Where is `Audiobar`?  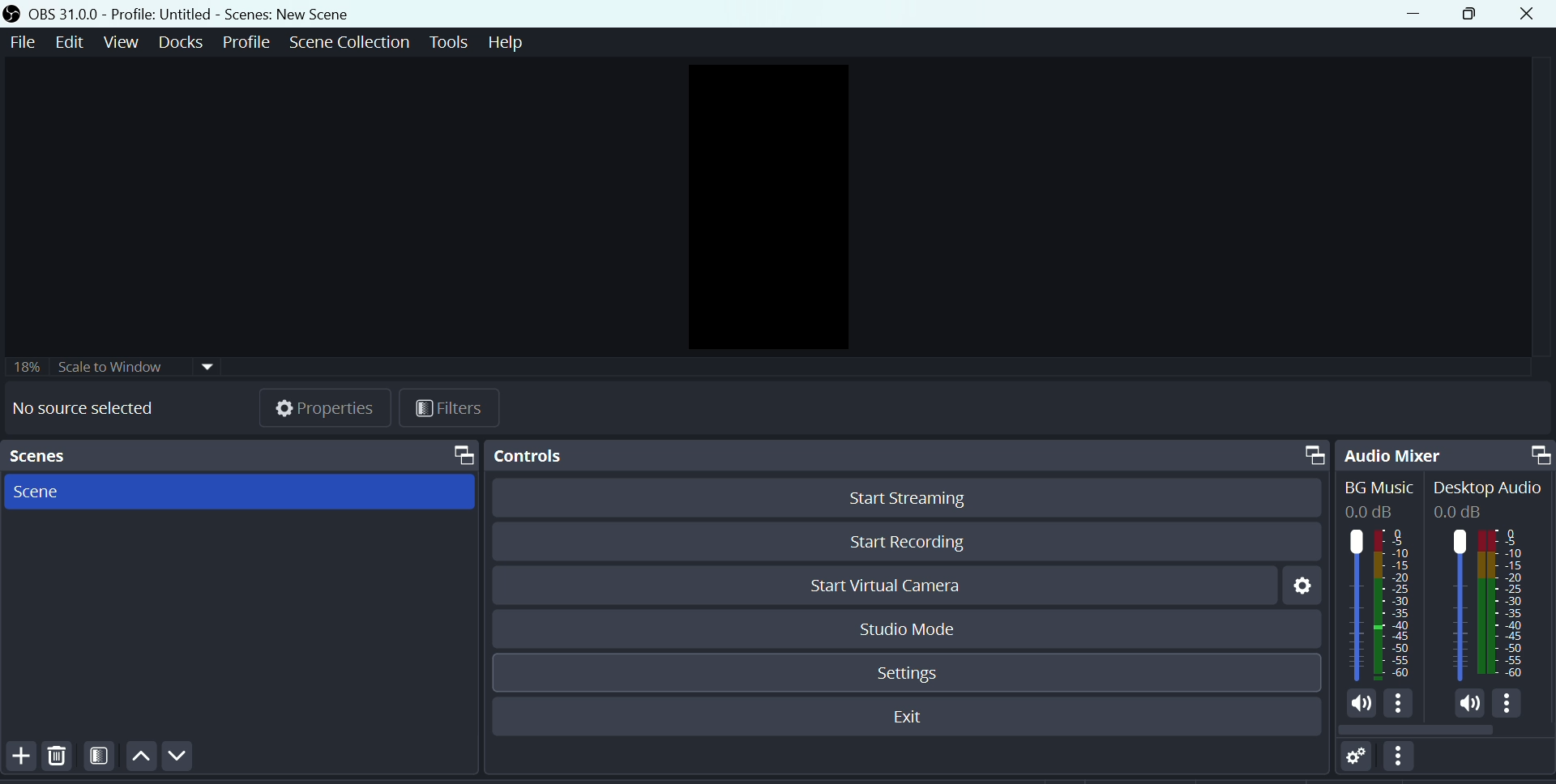 Audiobar is located at coordinates (1444, 607).